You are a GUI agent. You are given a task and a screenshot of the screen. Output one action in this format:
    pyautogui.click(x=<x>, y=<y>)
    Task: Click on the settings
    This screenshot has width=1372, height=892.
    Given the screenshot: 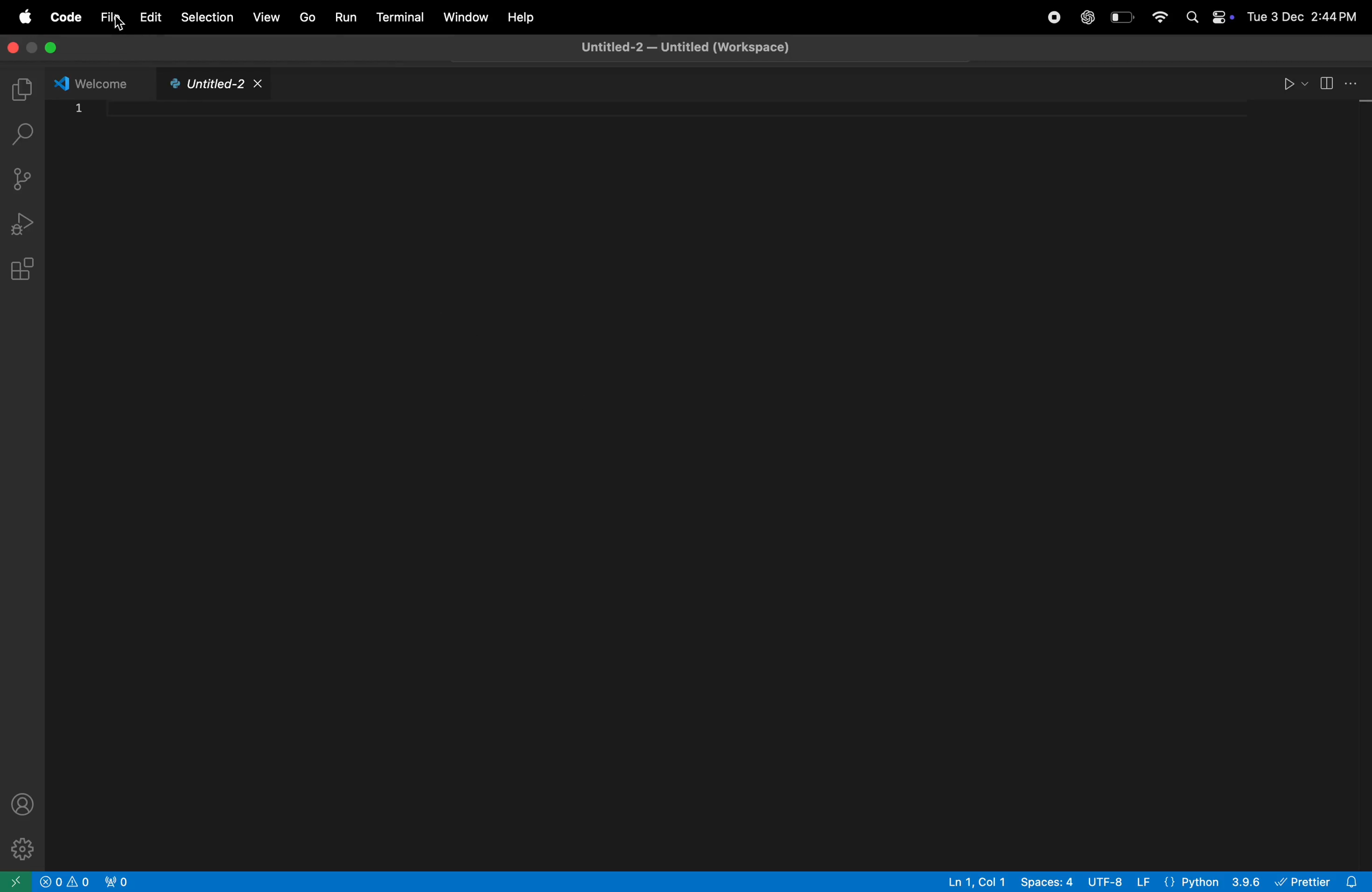 What is the action you would take?
    pyautogui.click(x=21, y=848)
    